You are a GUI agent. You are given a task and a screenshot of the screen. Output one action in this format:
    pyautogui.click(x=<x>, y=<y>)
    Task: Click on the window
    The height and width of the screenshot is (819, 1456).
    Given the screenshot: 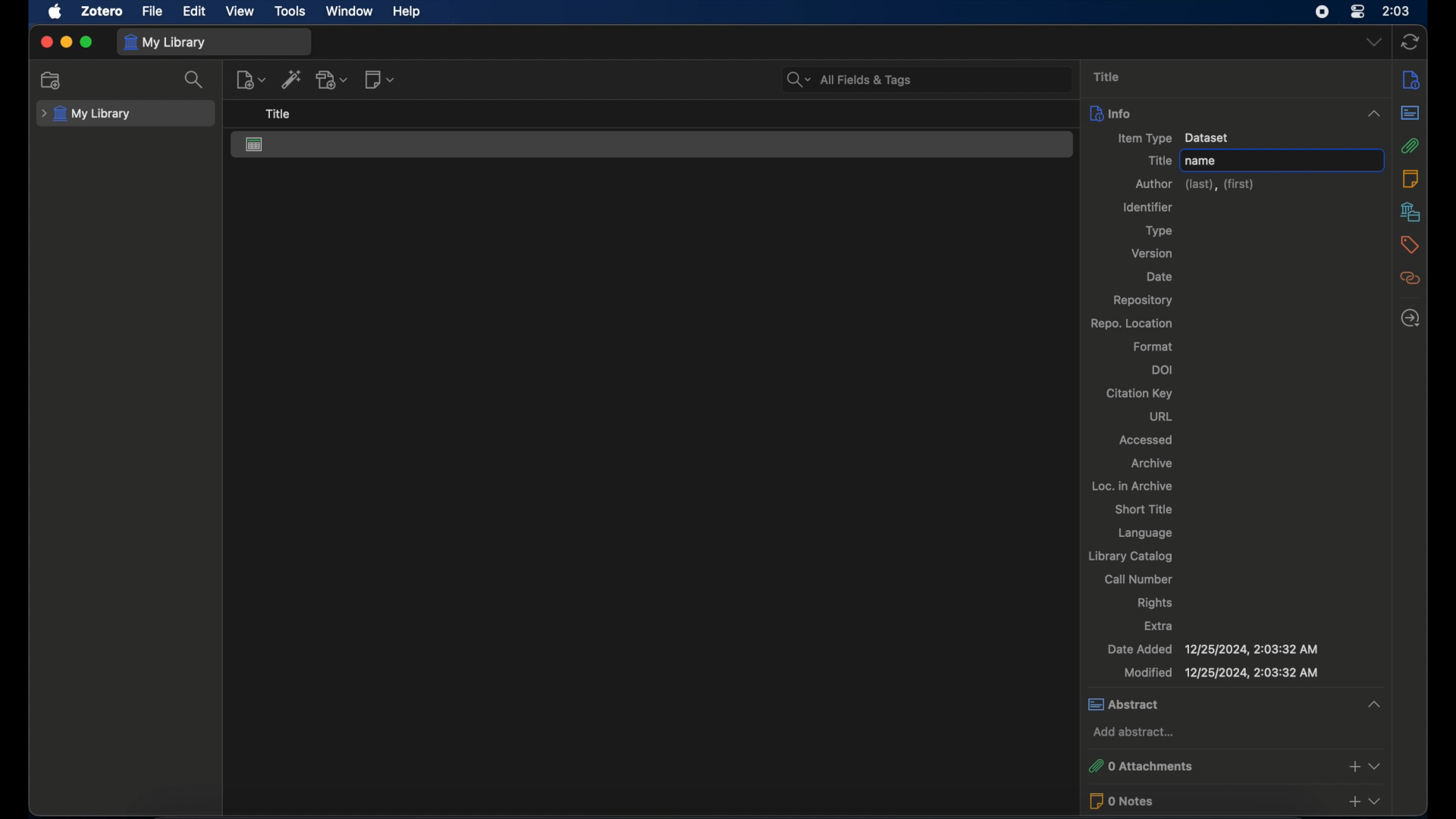 What is the action you would take?
    pyautogui.click(x=350, y=11)
    